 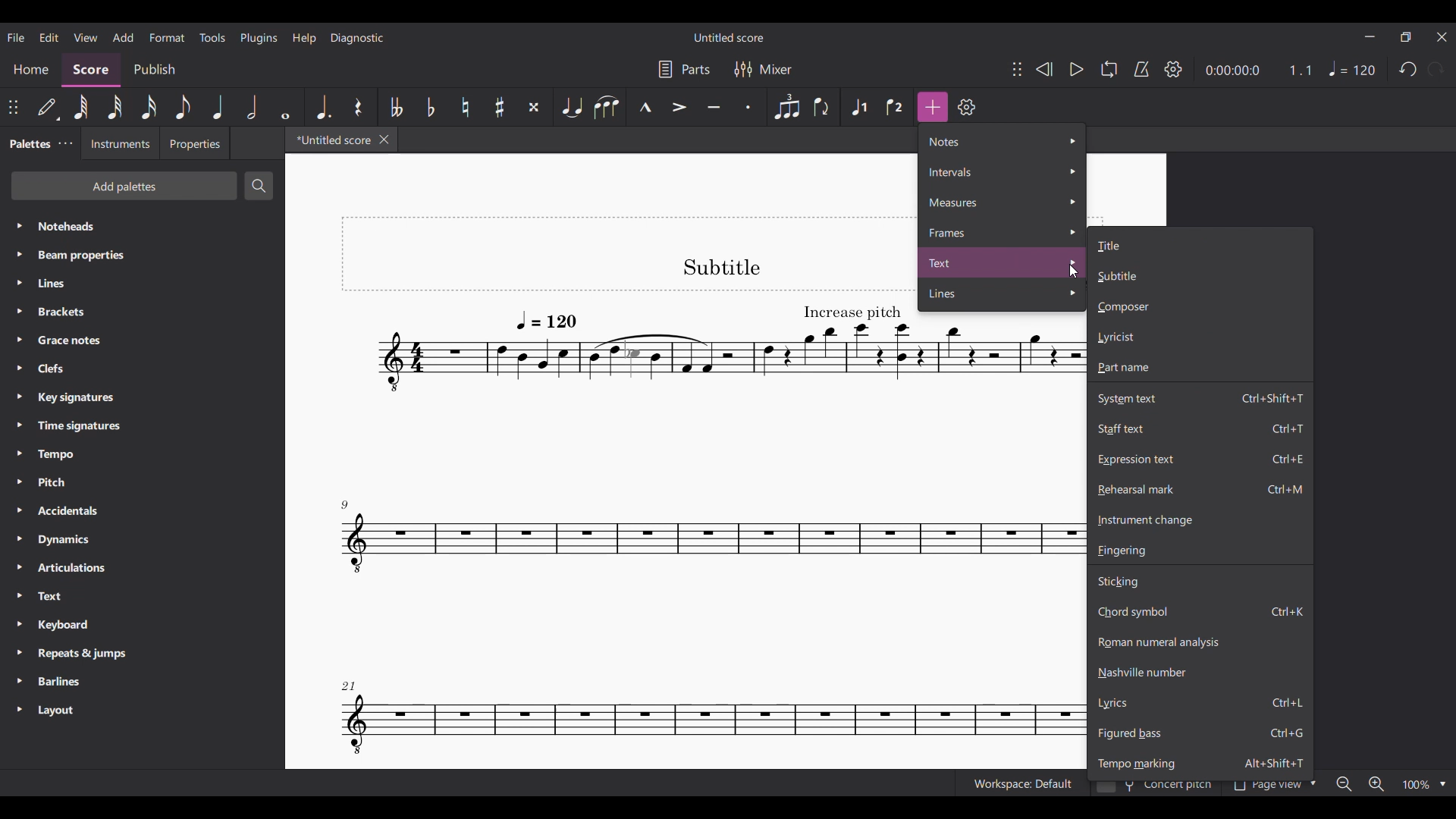 What do you see at coordinates (81, 107) in the screenshot?
I see `64th note` at bounding box center [81, 107].